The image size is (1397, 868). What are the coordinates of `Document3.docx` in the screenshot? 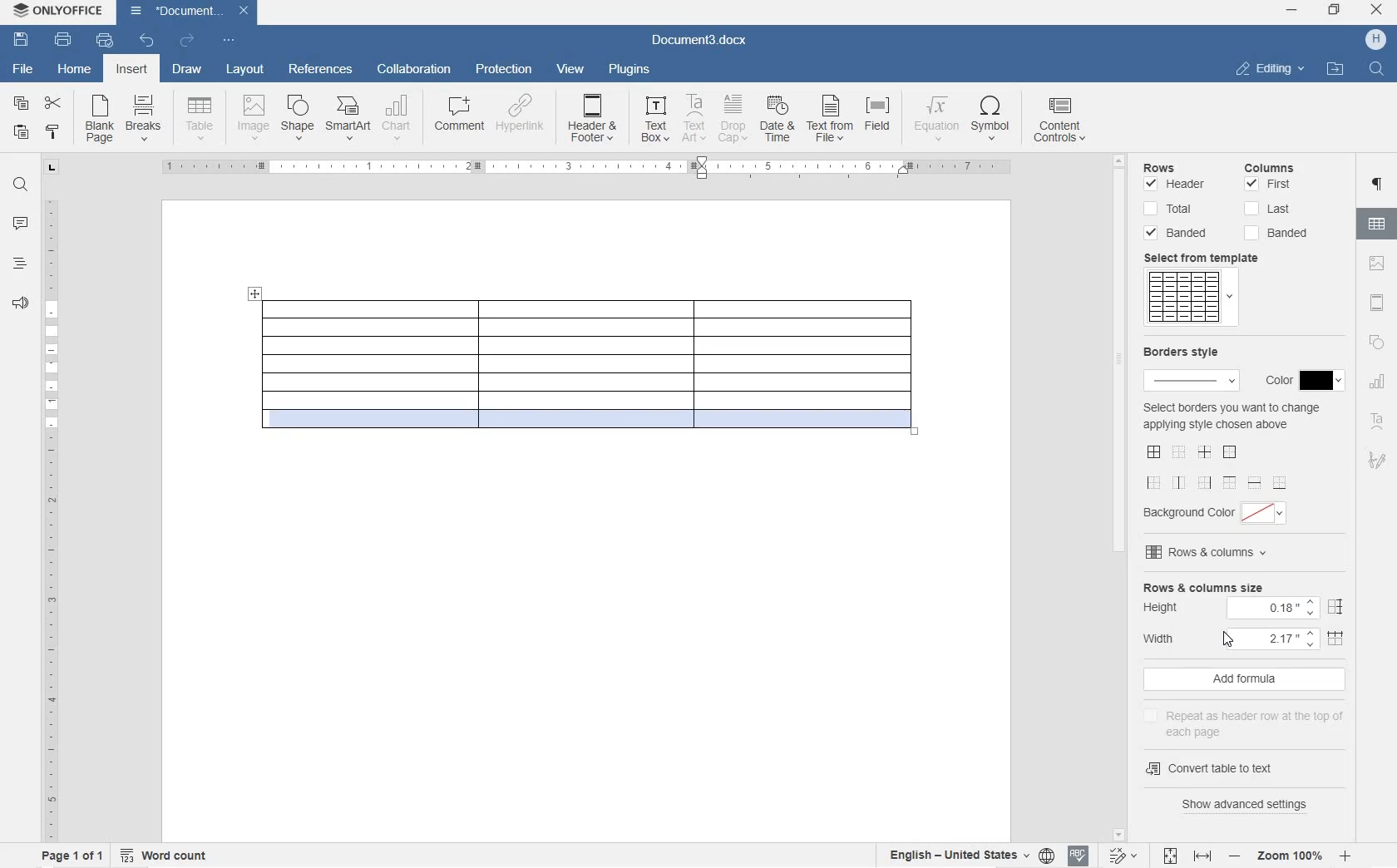 It's located at (697, 43).